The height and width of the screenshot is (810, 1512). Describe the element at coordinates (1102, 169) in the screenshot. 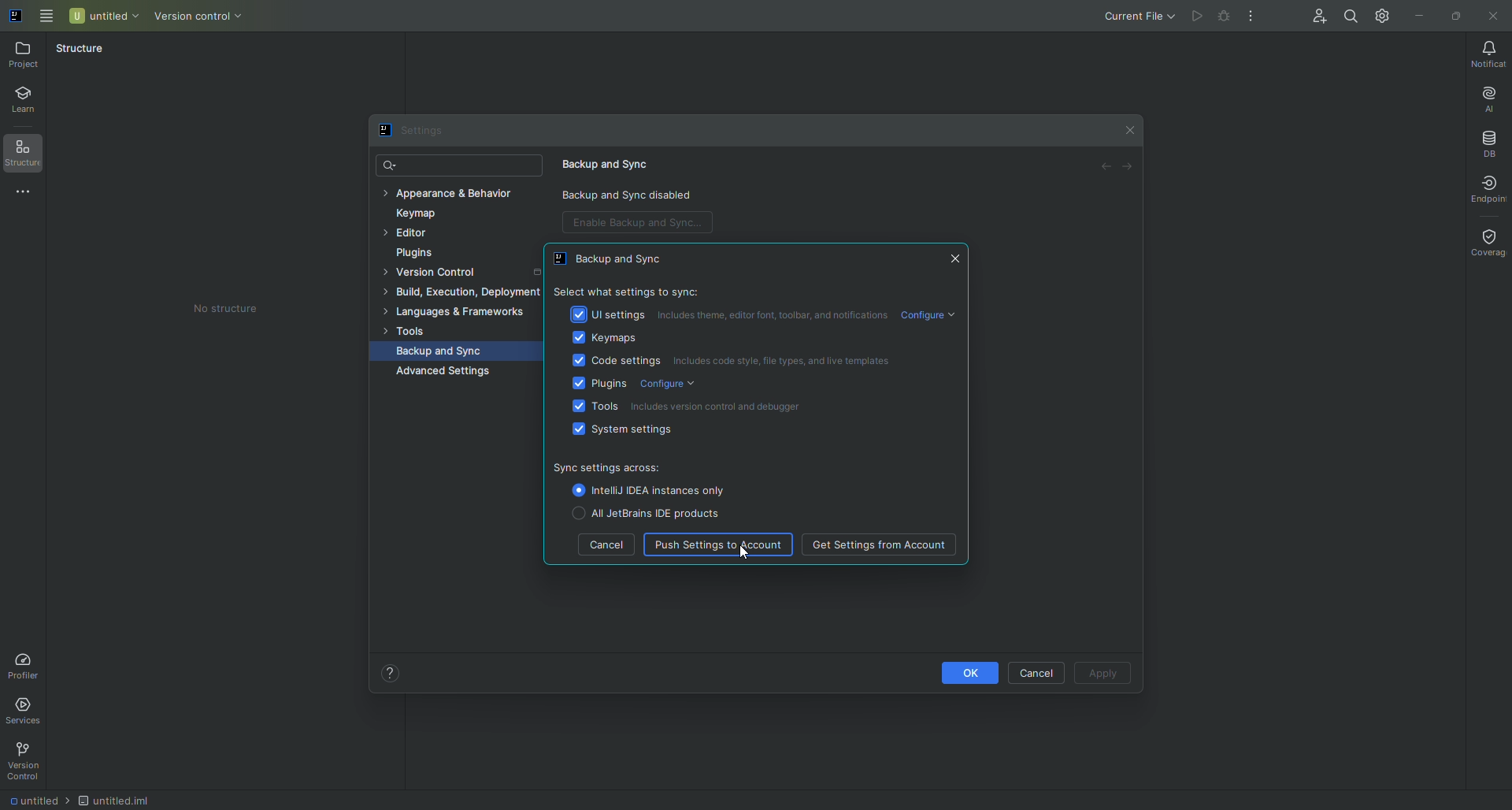

I see `Back` at that location.